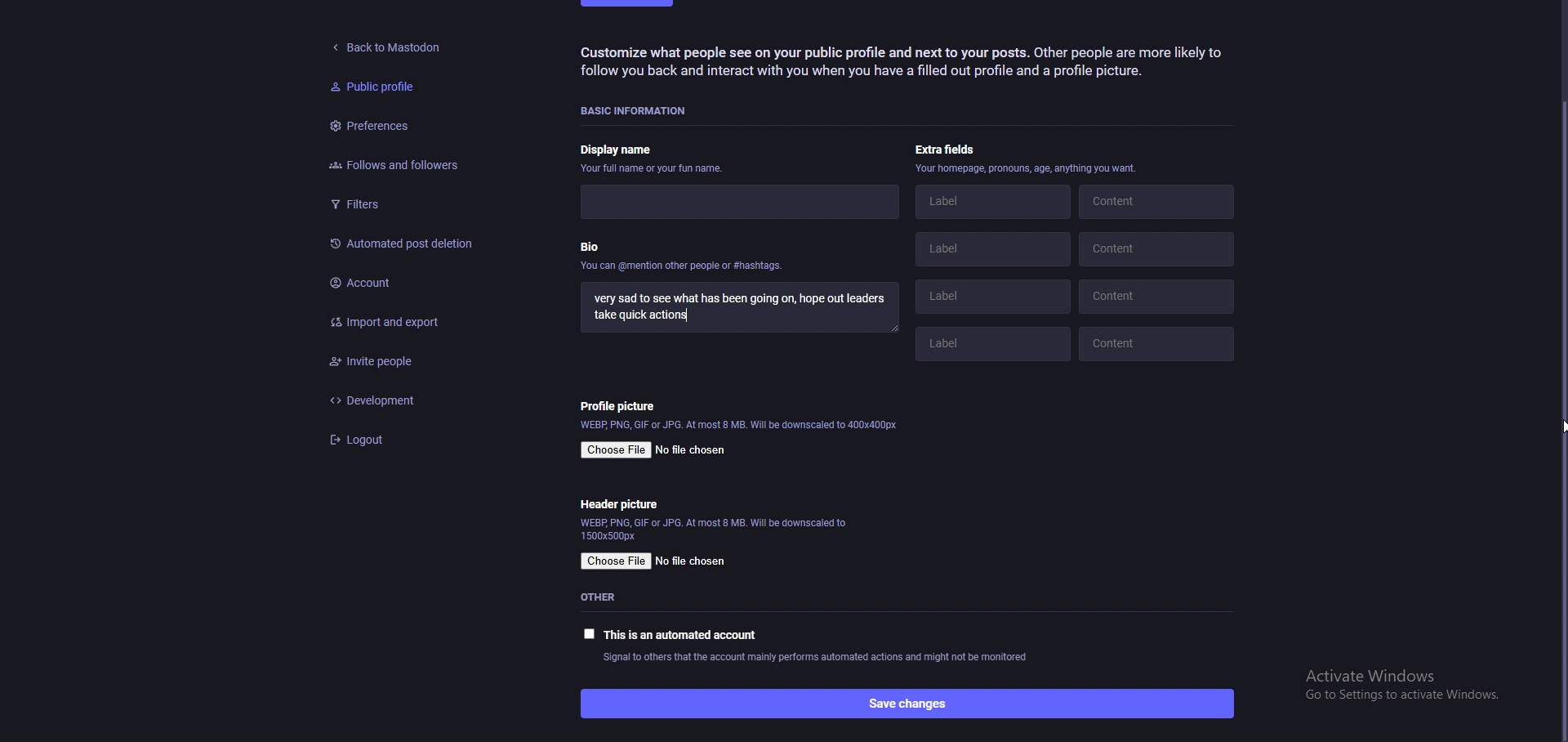 The width and height of the screenshot is (1568, 742). What do you see at coordinates (413, 440) in the screenshot?
I see `logout` at bounding box center [413, 440].